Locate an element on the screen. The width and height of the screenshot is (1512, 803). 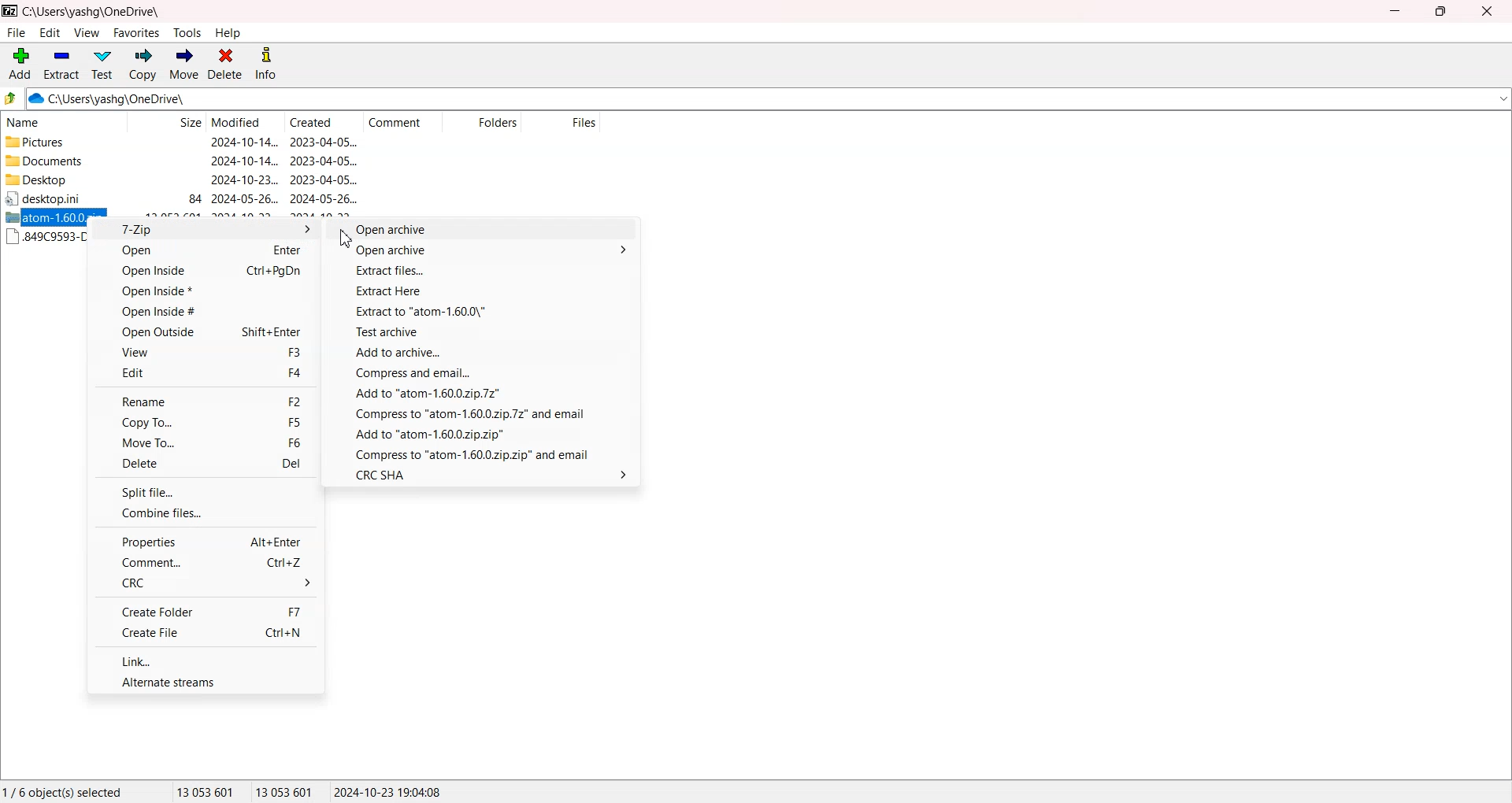
Atom Zip File is located at coordinates (46, 217).